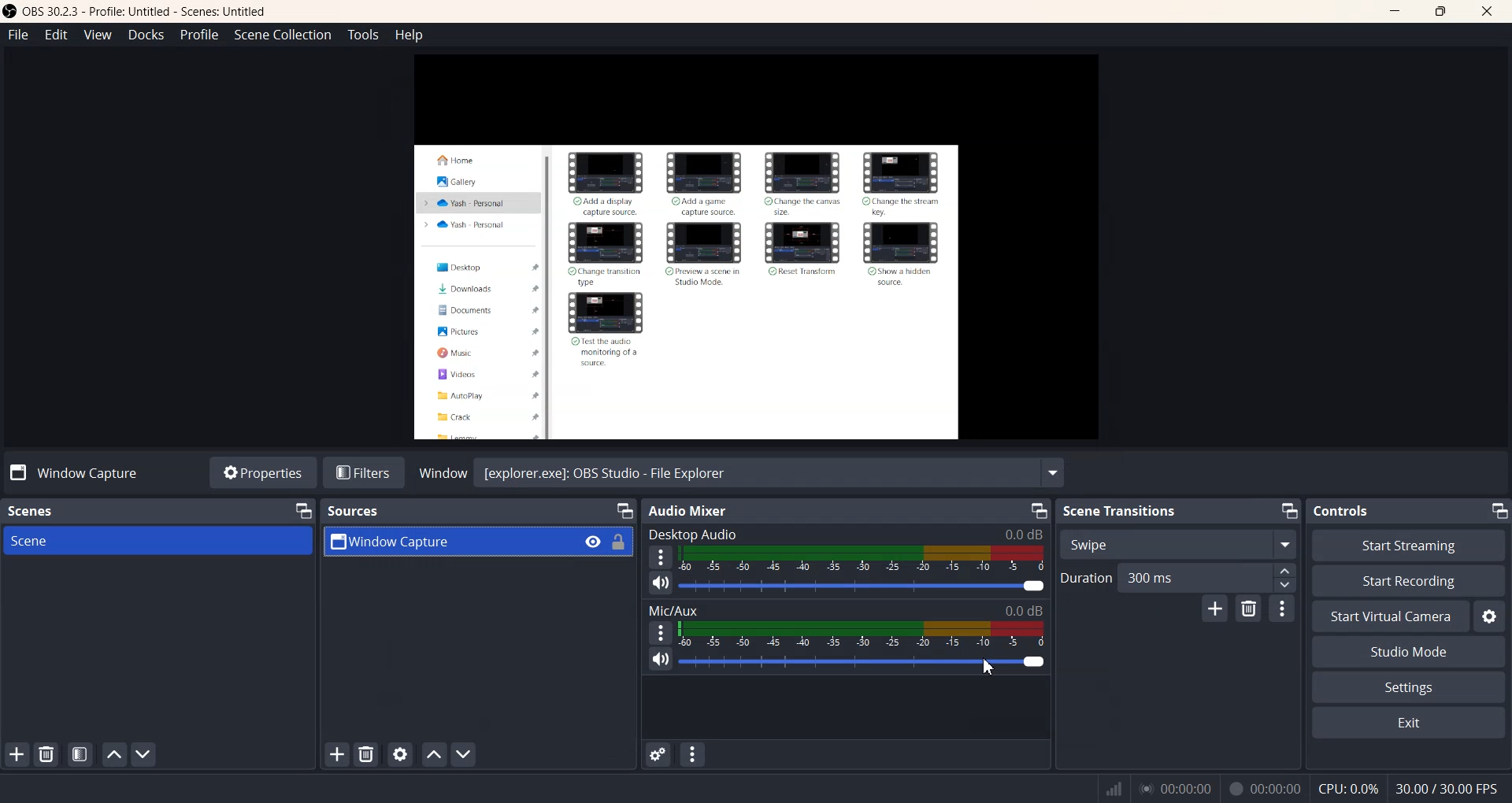 This screenshot has width=1512, height=803. I want to click on Open scene Filter, so click(80, 754).